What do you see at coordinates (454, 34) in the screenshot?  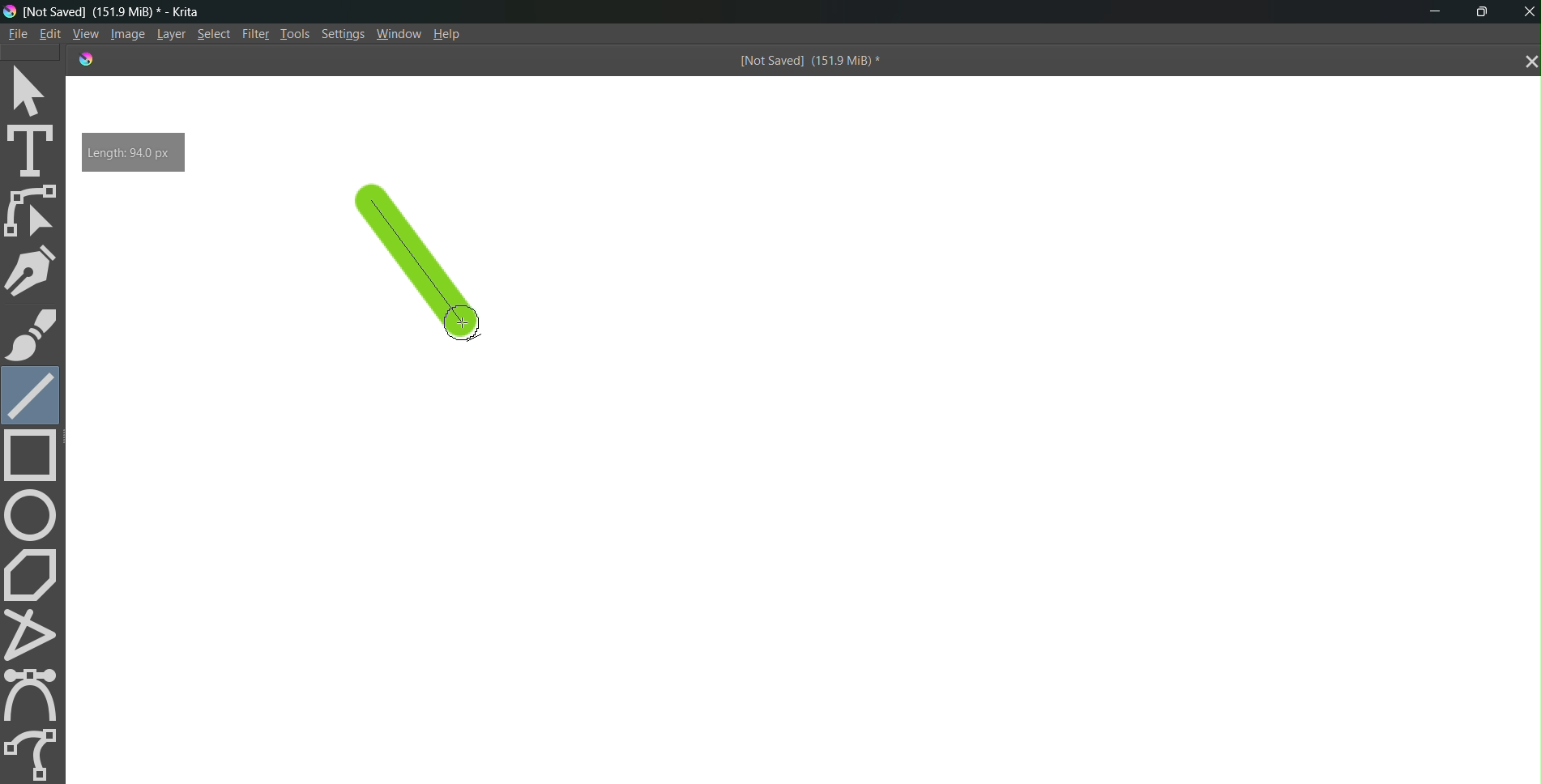 I see `Help` at bounding box center [454, 34].